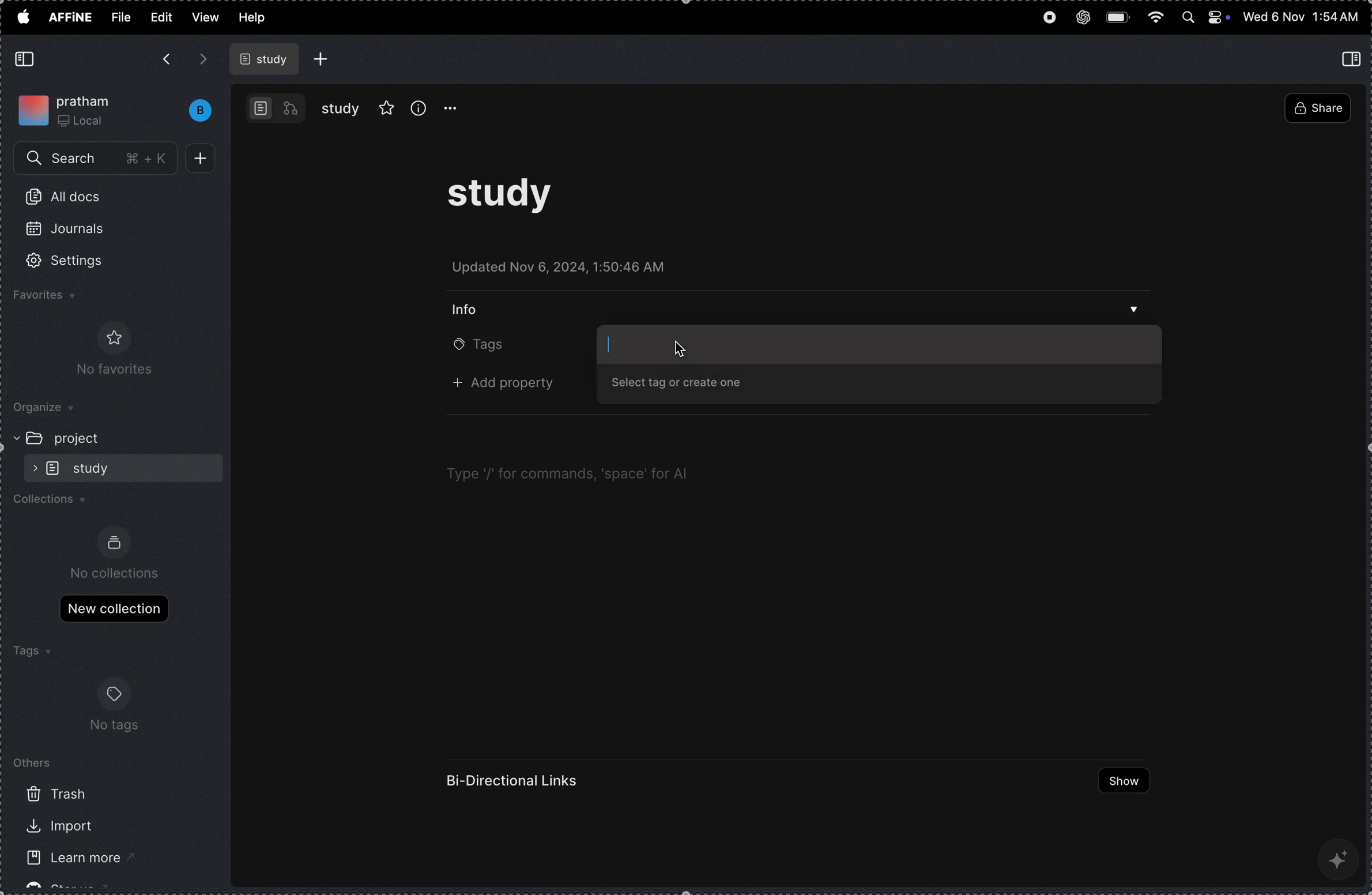 The width and height of the screenshot is (1372, 895). I want to click on cursor, so click(680, 349).